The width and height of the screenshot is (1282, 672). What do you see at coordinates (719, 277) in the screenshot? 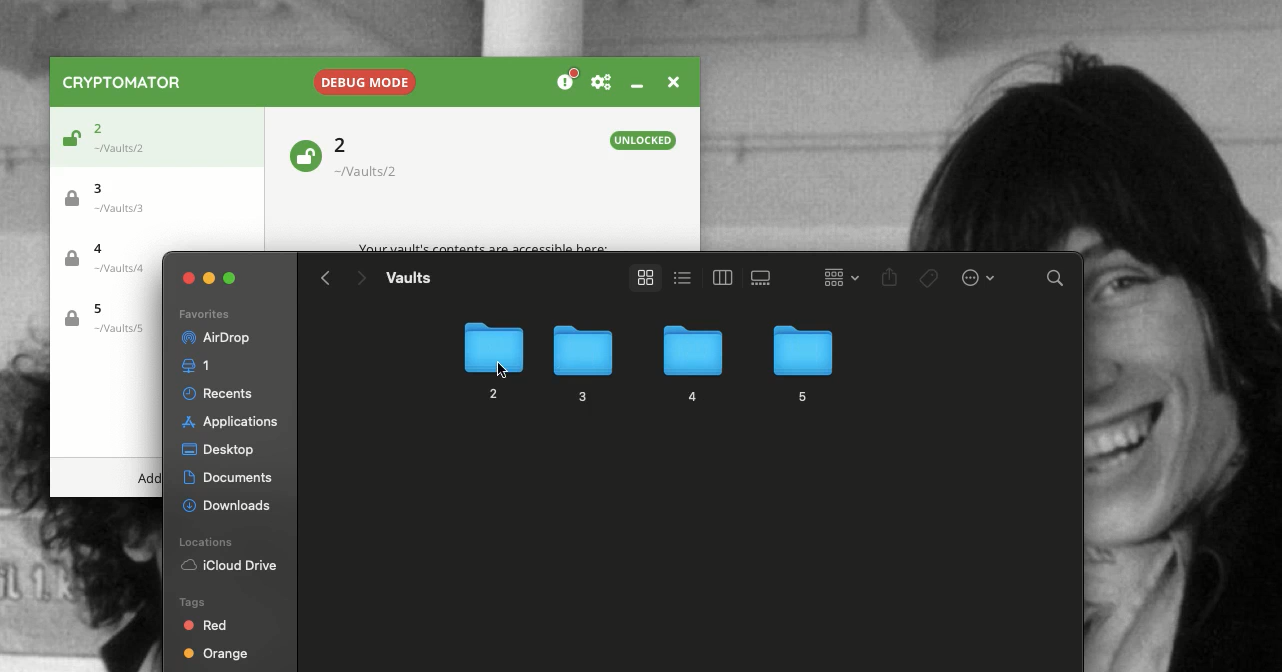
I see `View 2` at bounding box center [719, 277].